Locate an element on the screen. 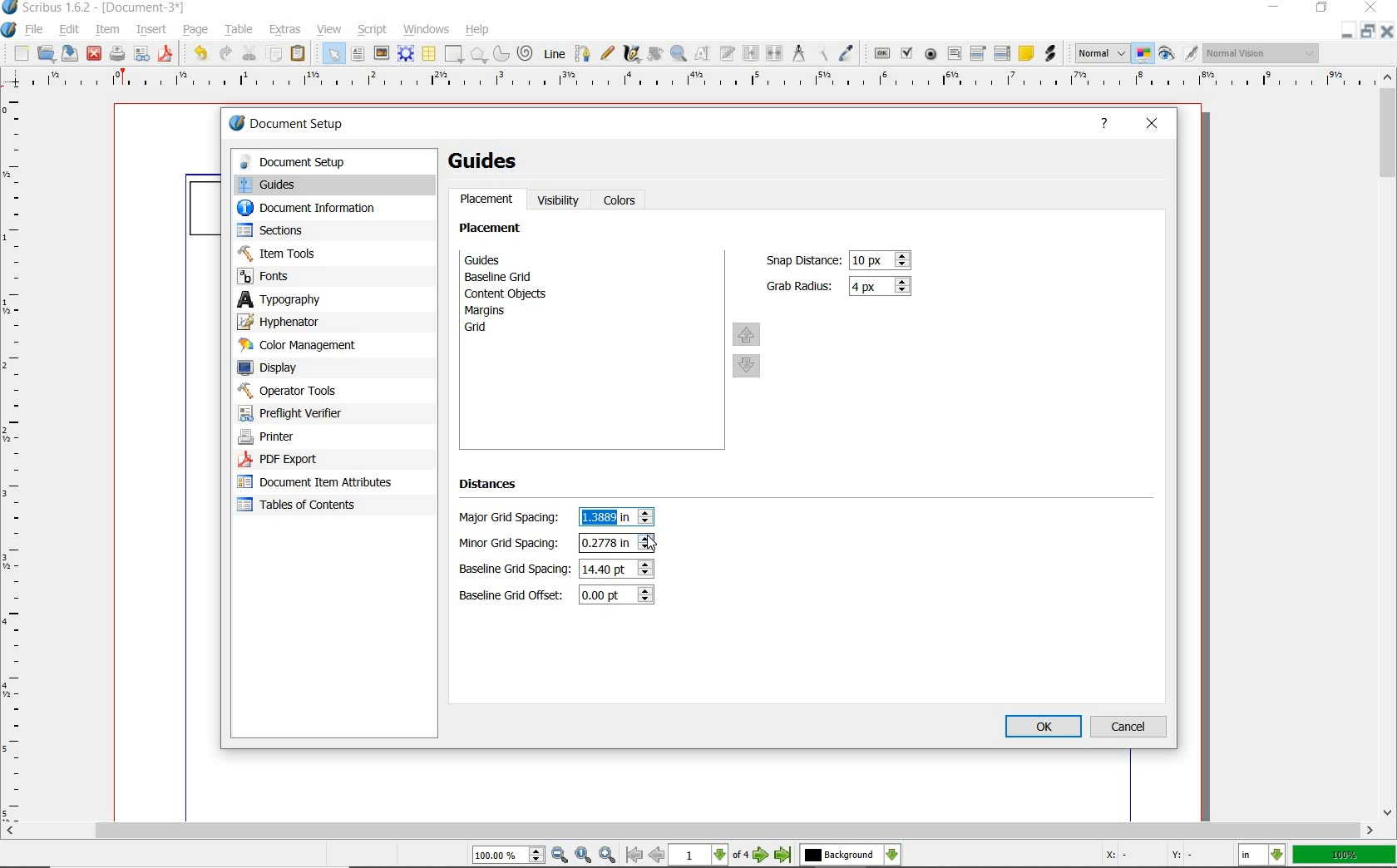  select is located at coordinates (335, 57).